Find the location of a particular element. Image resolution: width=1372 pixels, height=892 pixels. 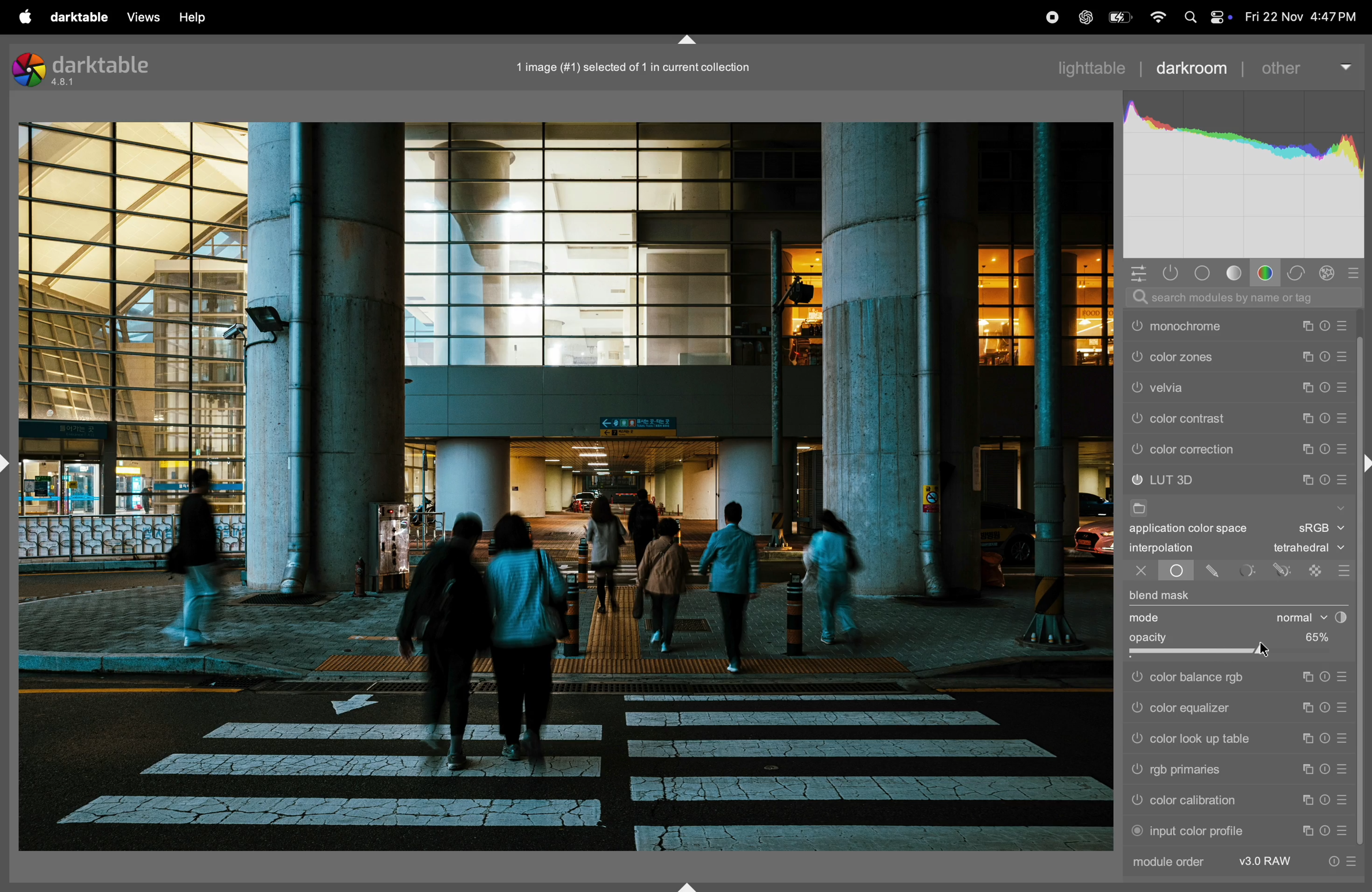

presets is located at coordinates (1341, 738).